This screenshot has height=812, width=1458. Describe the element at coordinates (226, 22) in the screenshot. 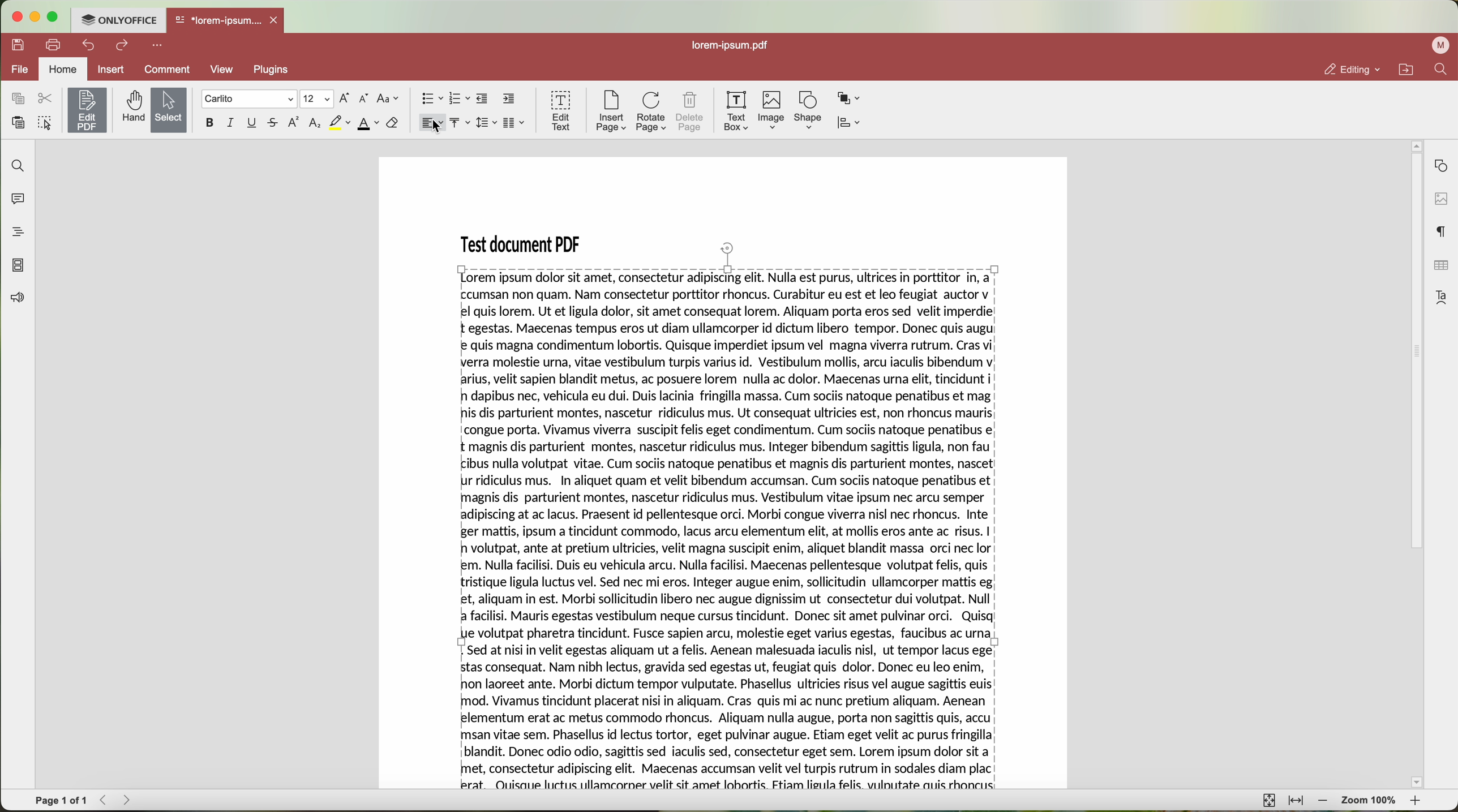

I see `open file` at that location.